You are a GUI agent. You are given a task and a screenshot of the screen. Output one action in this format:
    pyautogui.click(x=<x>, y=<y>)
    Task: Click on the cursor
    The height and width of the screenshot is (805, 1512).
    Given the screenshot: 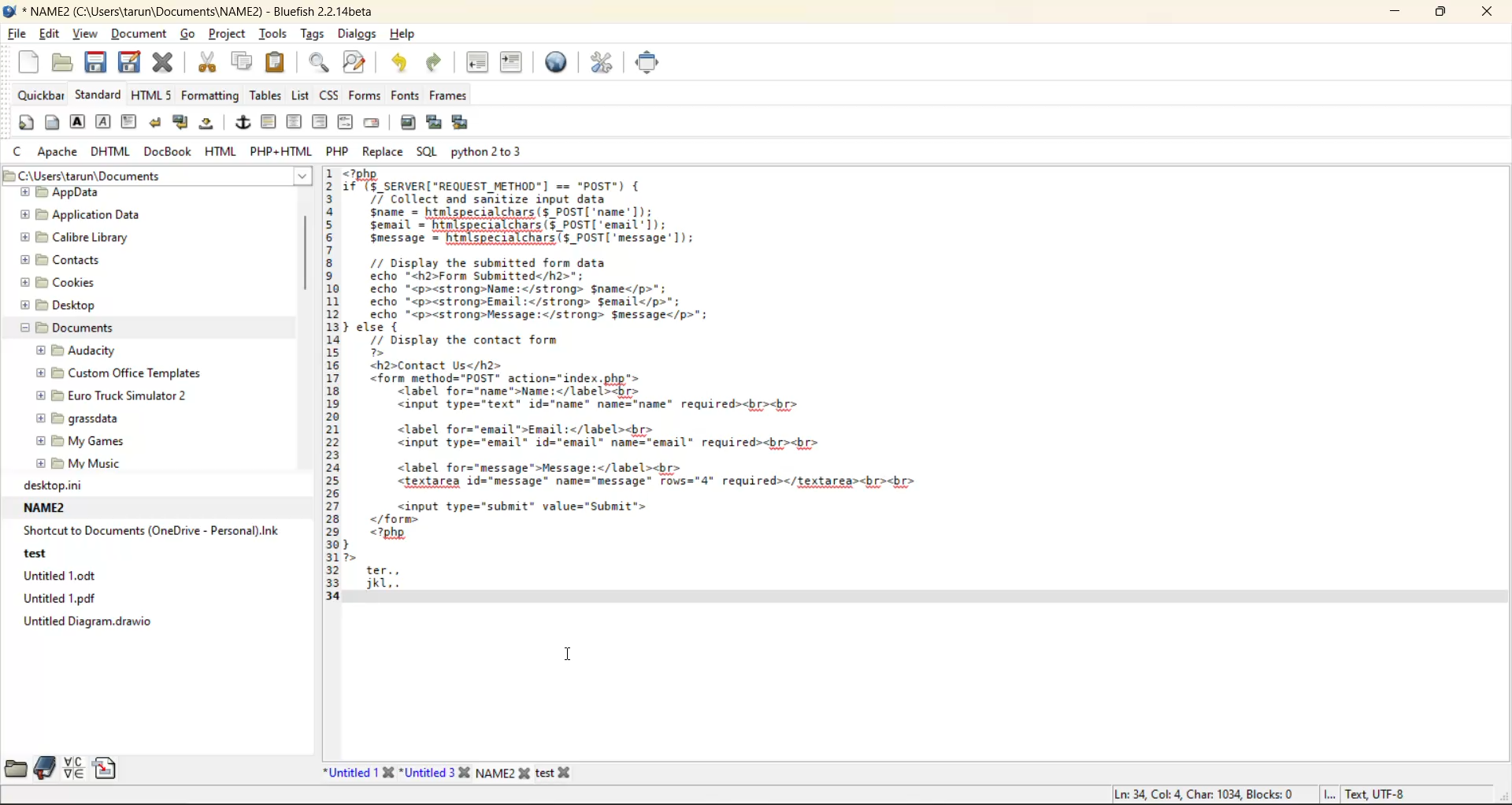 What is the action you would take?
    pyautogui.click(x=571, y=653)
    